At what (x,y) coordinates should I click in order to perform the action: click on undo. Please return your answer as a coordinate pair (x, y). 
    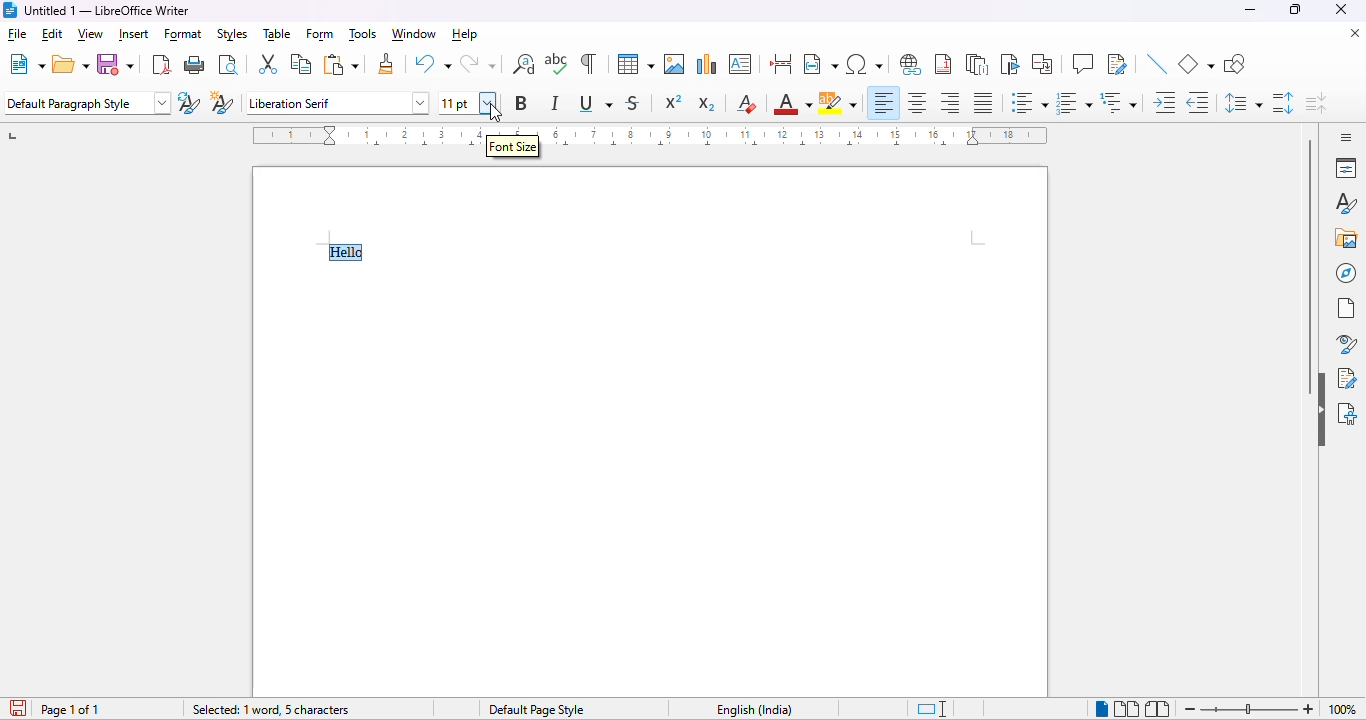
    Looking at the image, I should click on (432, 64).